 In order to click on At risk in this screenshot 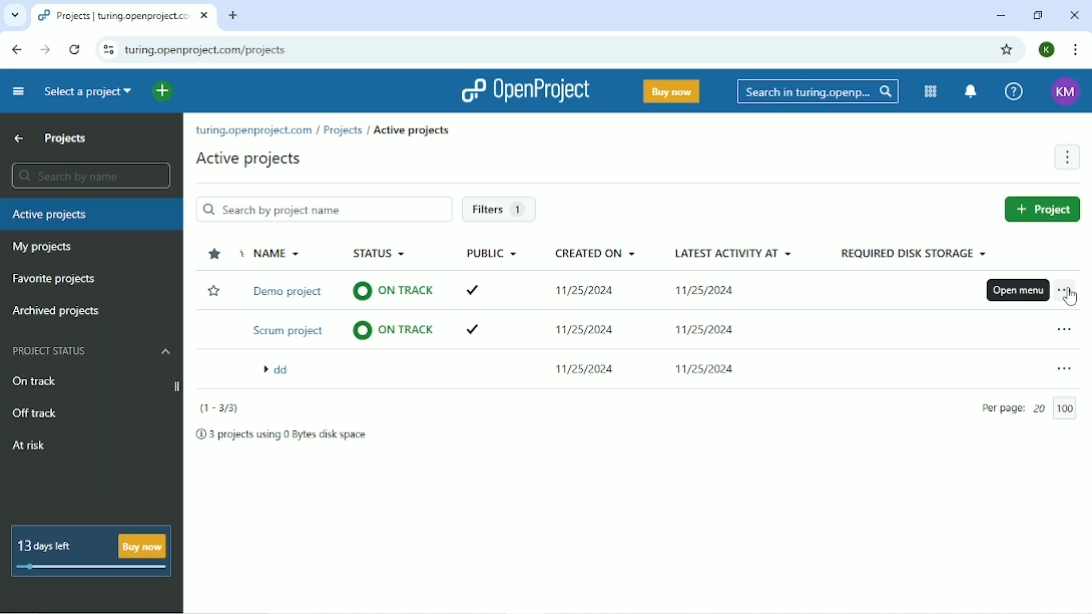, I will do `click(28, 447)`.